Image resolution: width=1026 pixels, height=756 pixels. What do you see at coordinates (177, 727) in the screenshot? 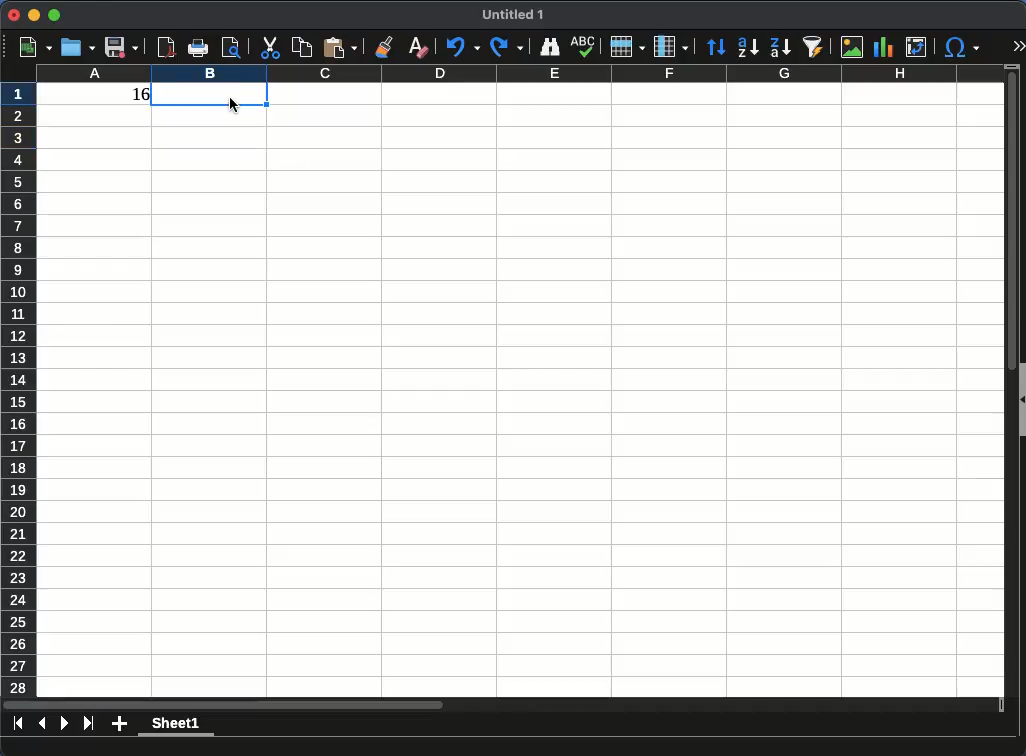
I see `sheet1` at bounding box center [177, 727].